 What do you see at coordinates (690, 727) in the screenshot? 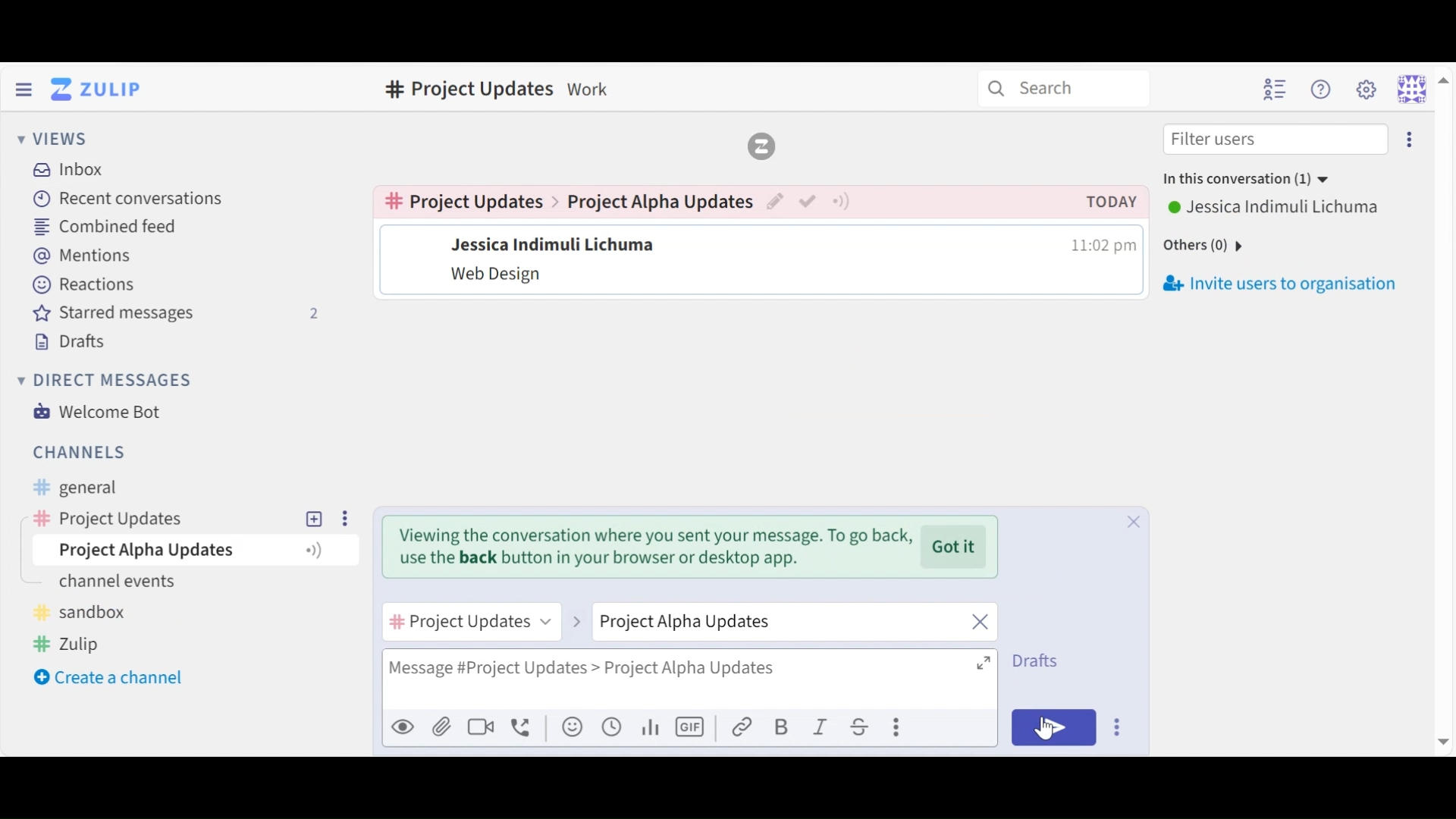
I see `Add GIF` at bounding box center [690, 727].